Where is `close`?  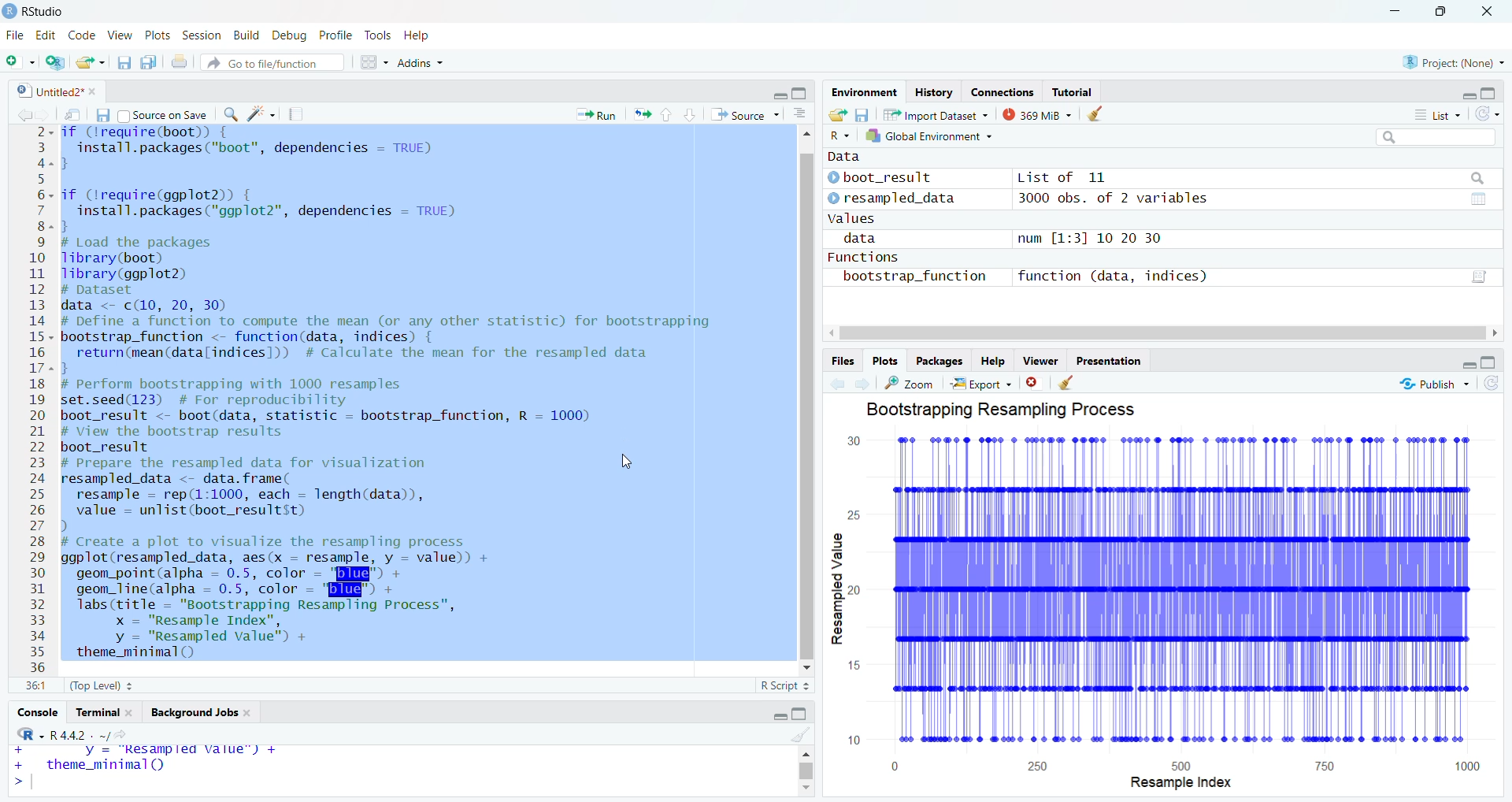 close is located at coordinates (1478, 12).